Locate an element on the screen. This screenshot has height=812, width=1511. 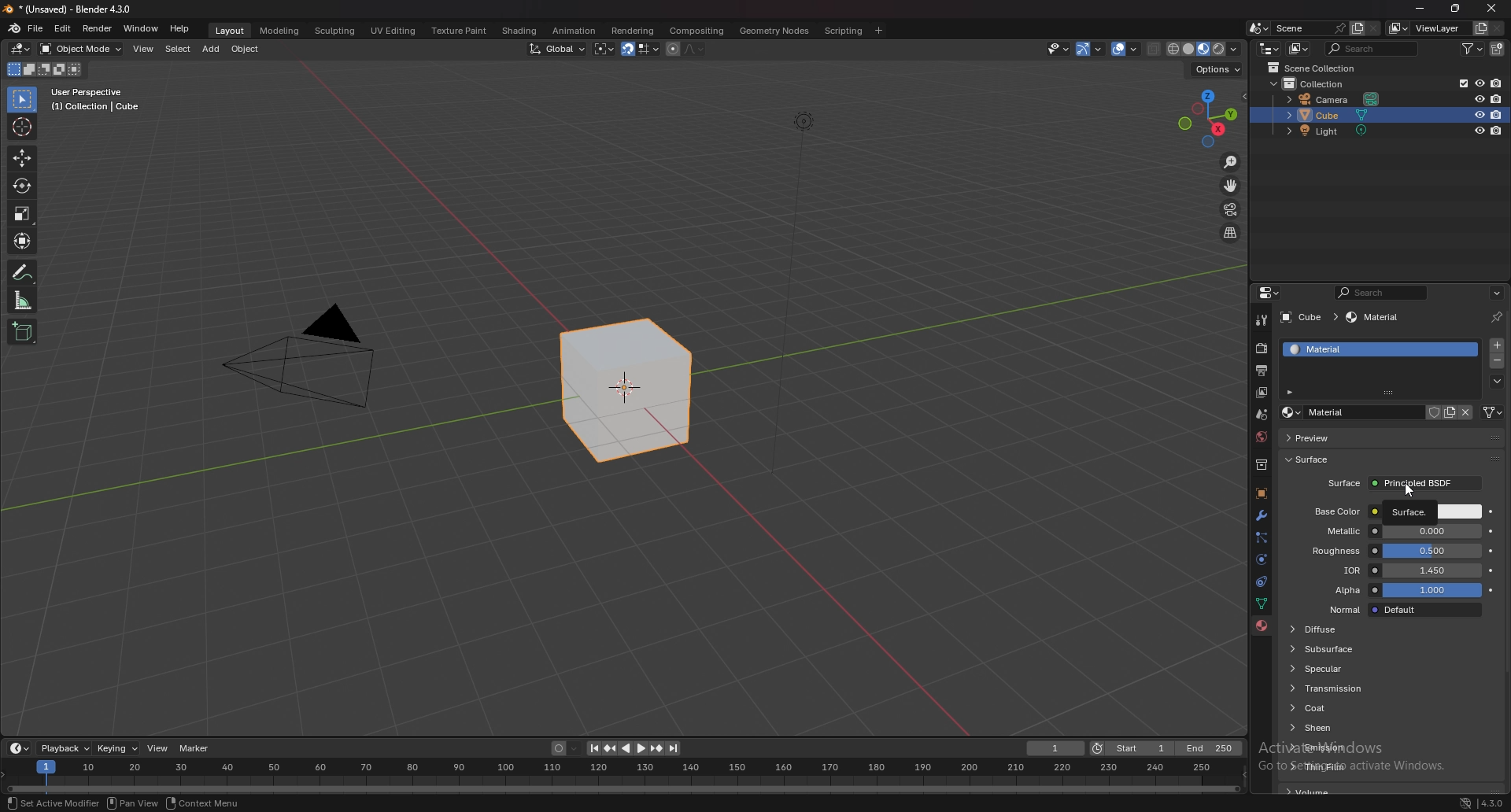
jump to endpoint is located at coordinates (590, 748).